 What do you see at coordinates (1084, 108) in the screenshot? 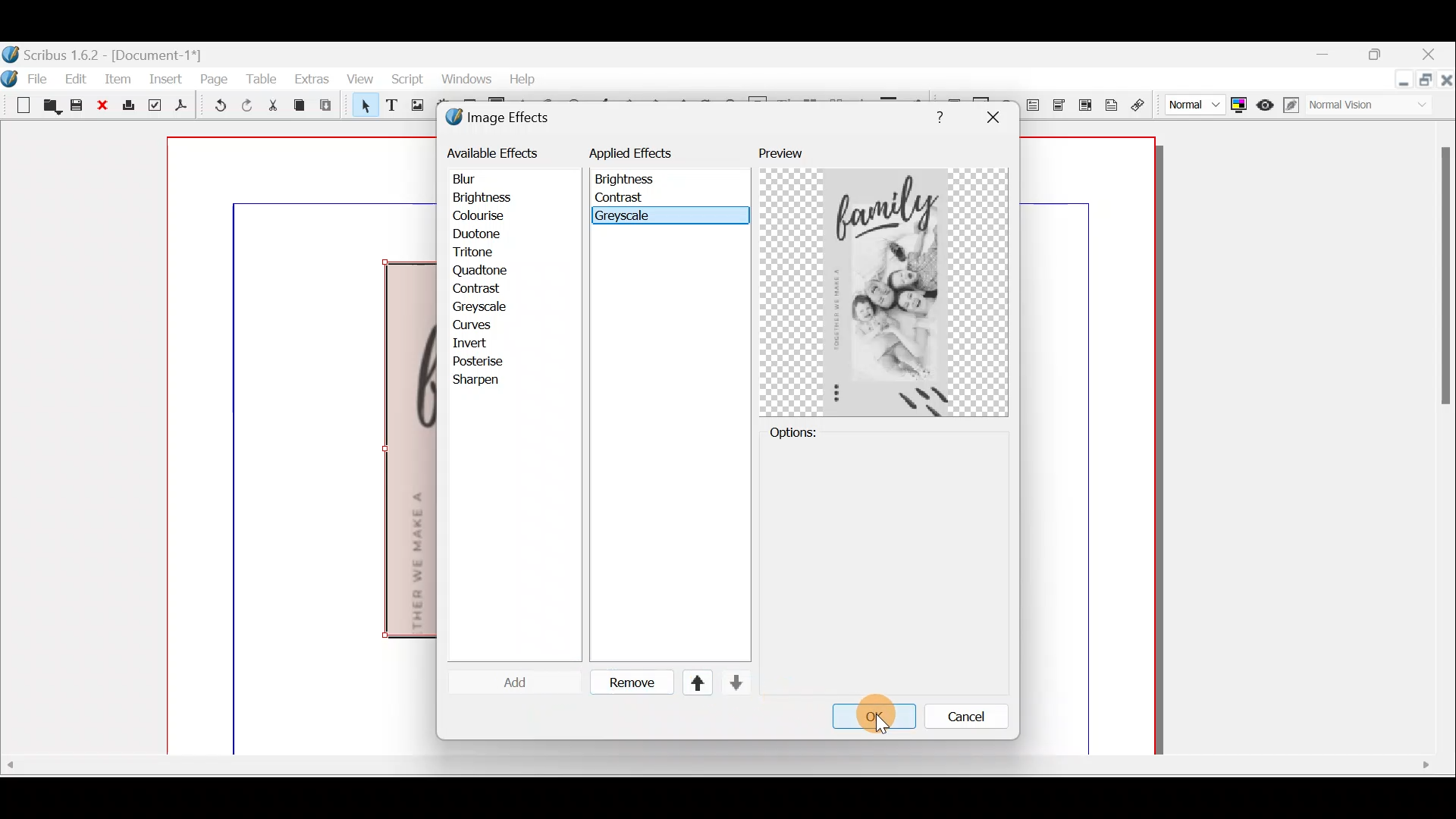
I see `PDF list box` at bounding box center [1084, 108].